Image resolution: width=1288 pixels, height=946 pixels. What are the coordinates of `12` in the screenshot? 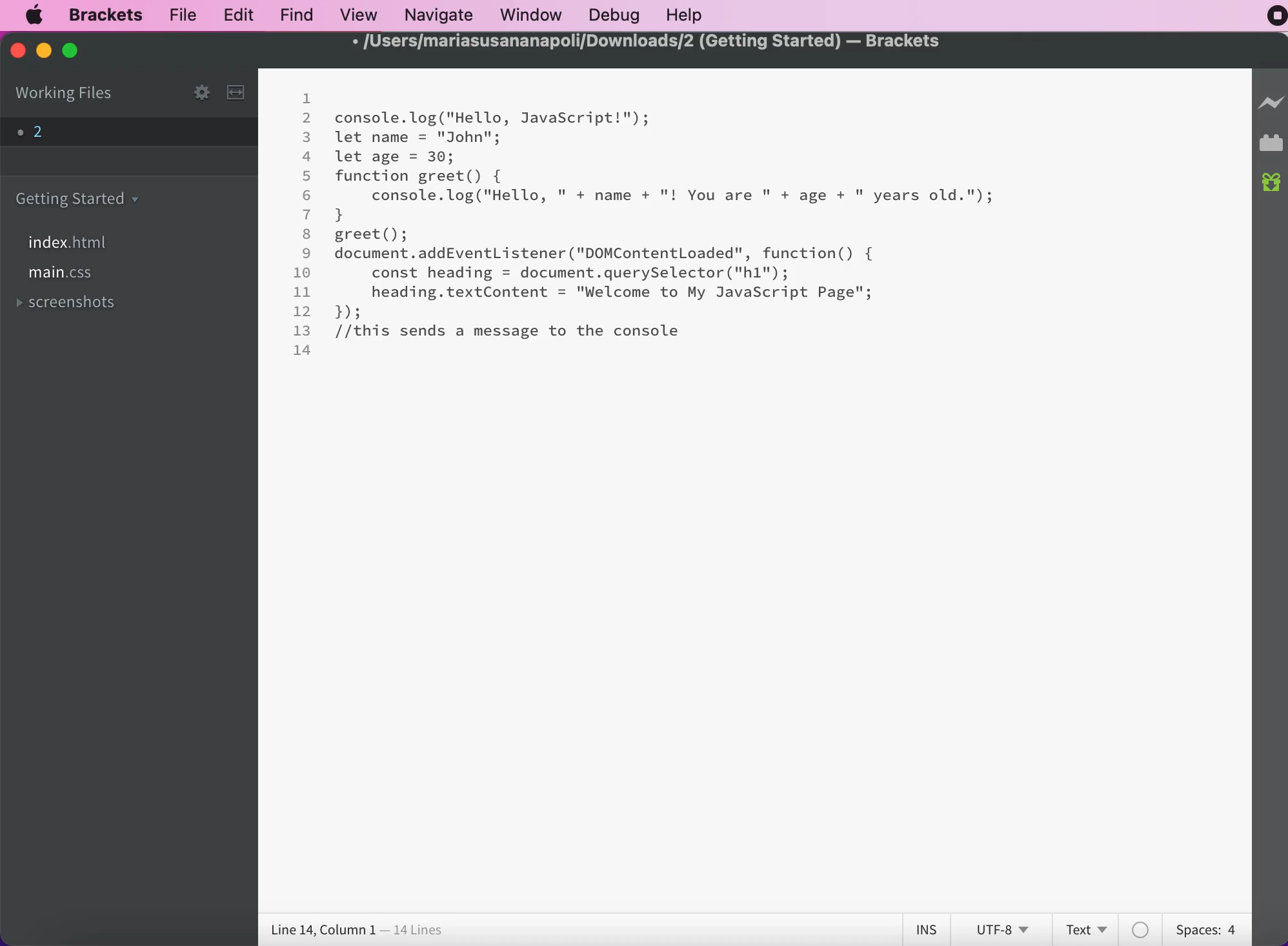 It's located at (302, 311).